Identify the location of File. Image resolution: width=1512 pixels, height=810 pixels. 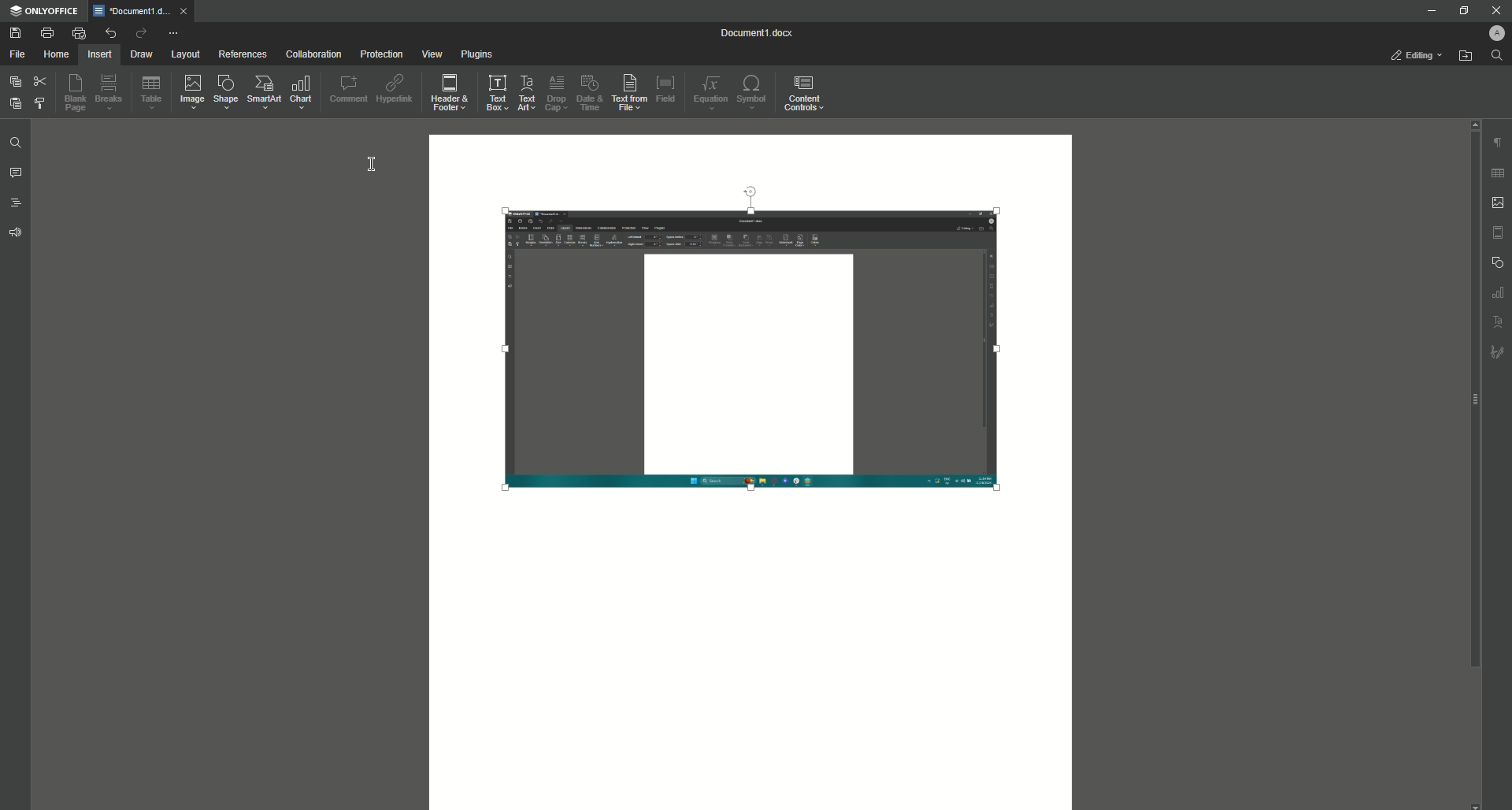
(17, 55).